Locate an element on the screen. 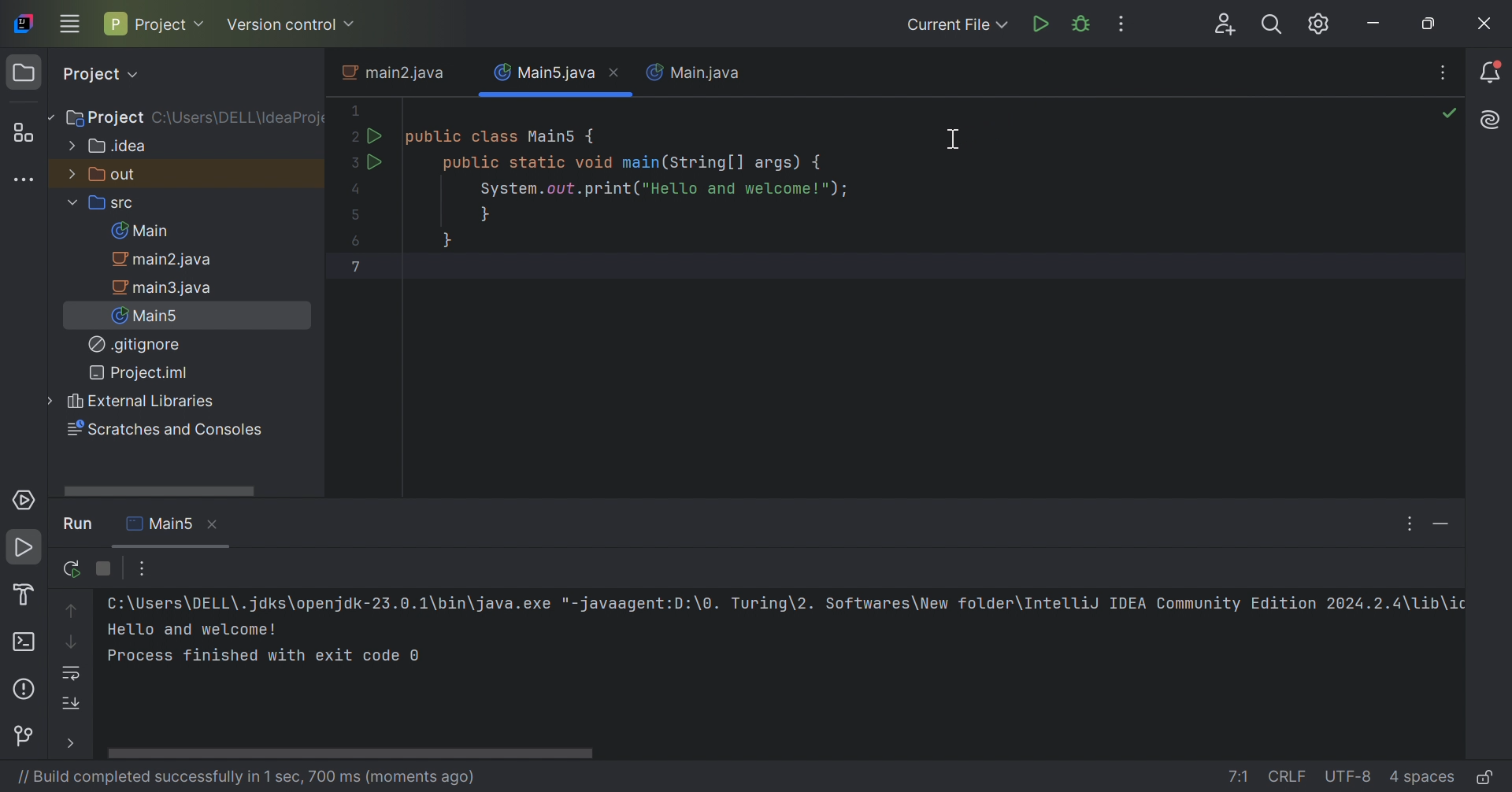 The image size is (1512, 792). Hide is located at coordinates (1444, 523).